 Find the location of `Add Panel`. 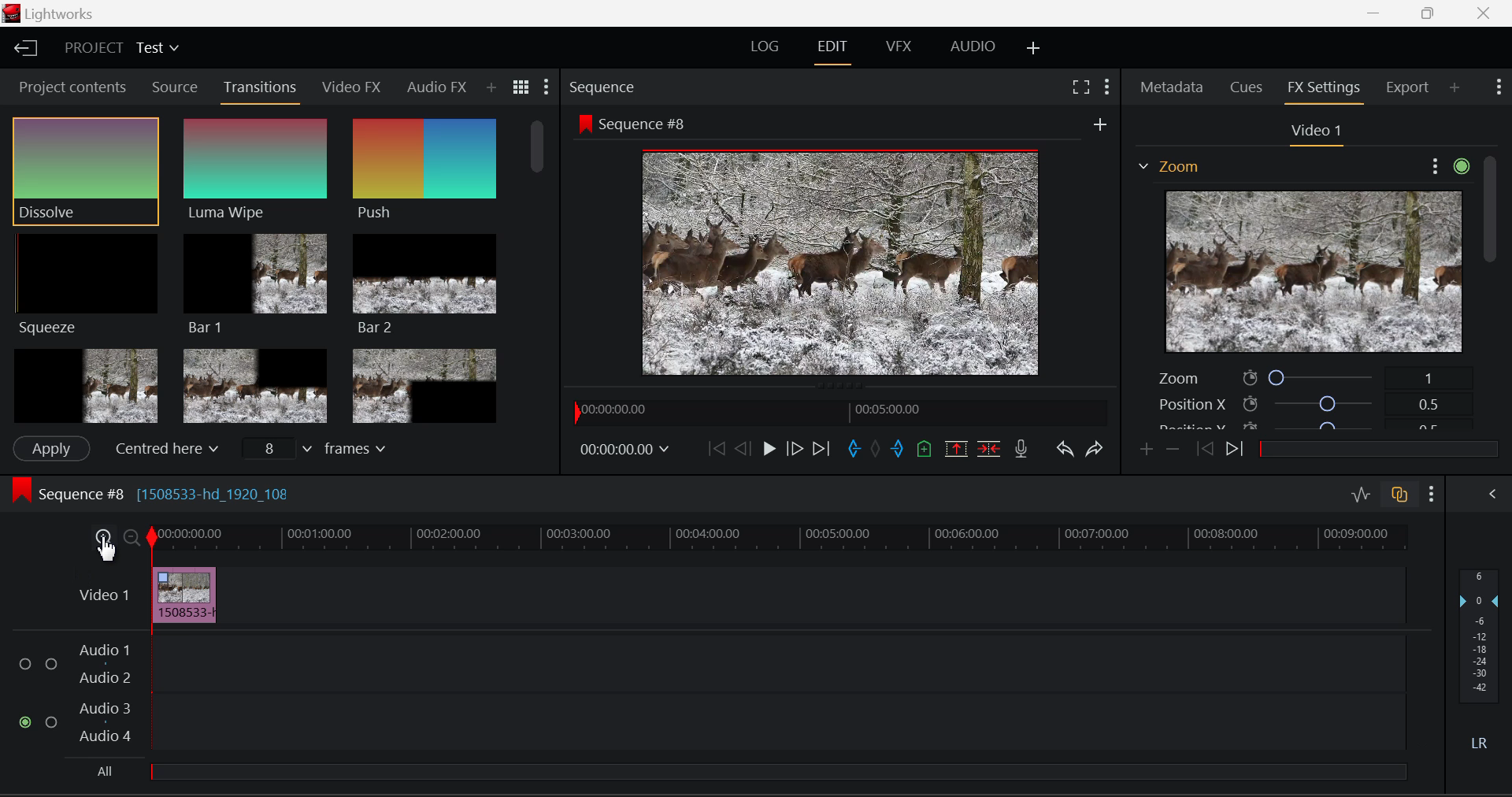

Add Panel is located at coordinates (1454, 87).